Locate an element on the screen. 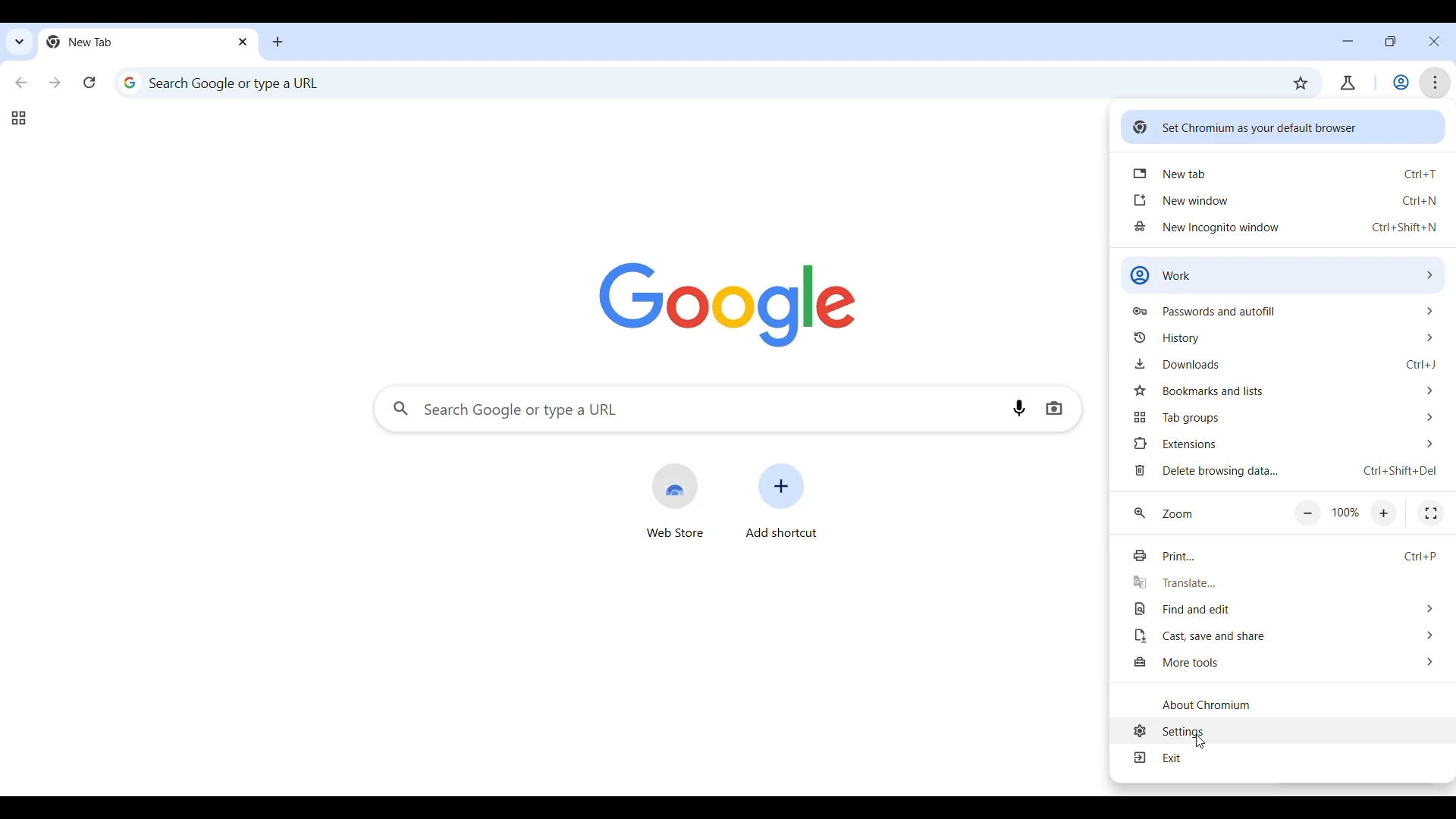  Downloads is located at coordinates (1288, 362).